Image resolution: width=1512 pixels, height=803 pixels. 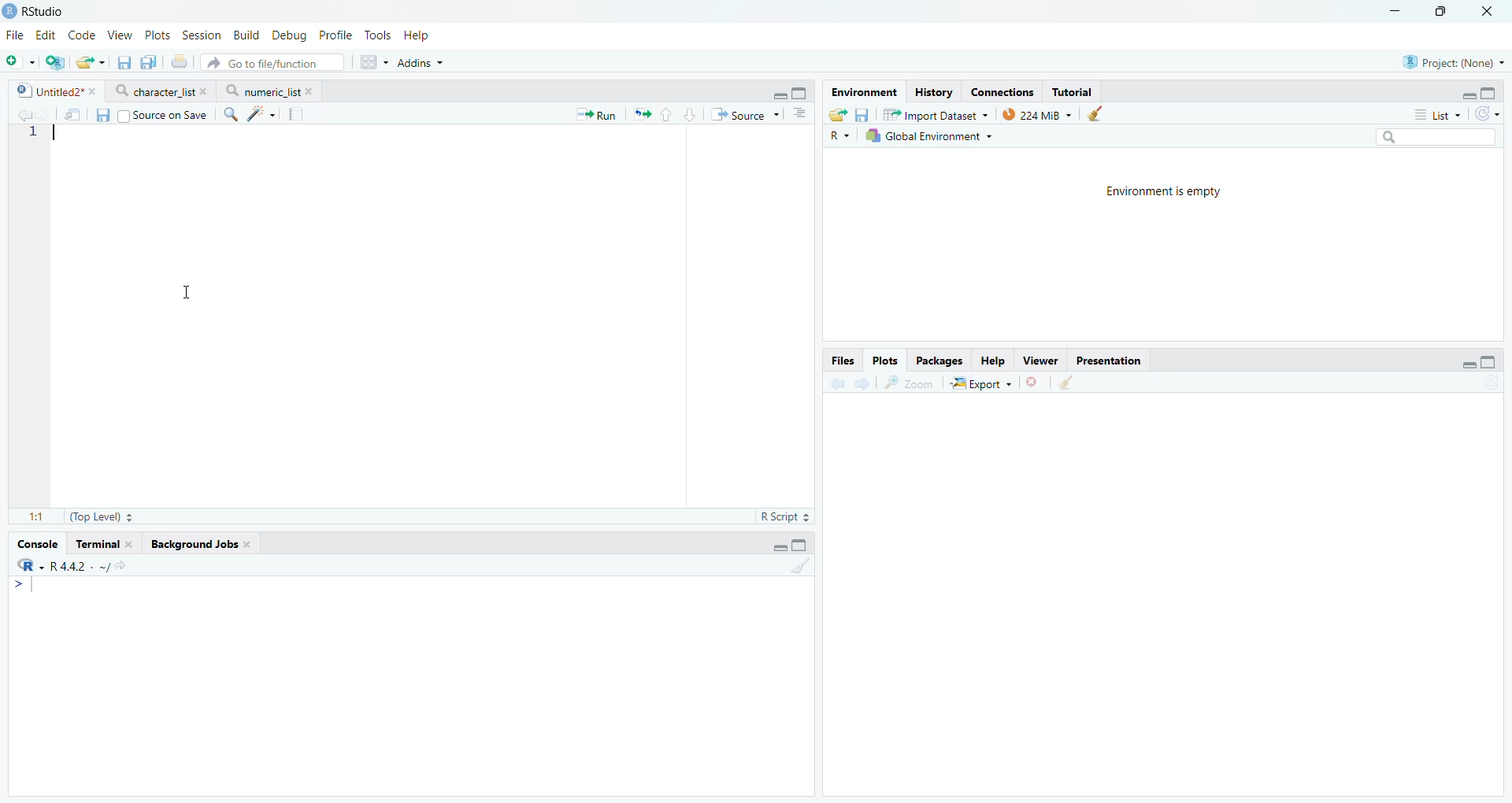 What do you see at coordinates (103, 545) in the screenshot?
I see `Terminal` at bounding box center [103, 545].